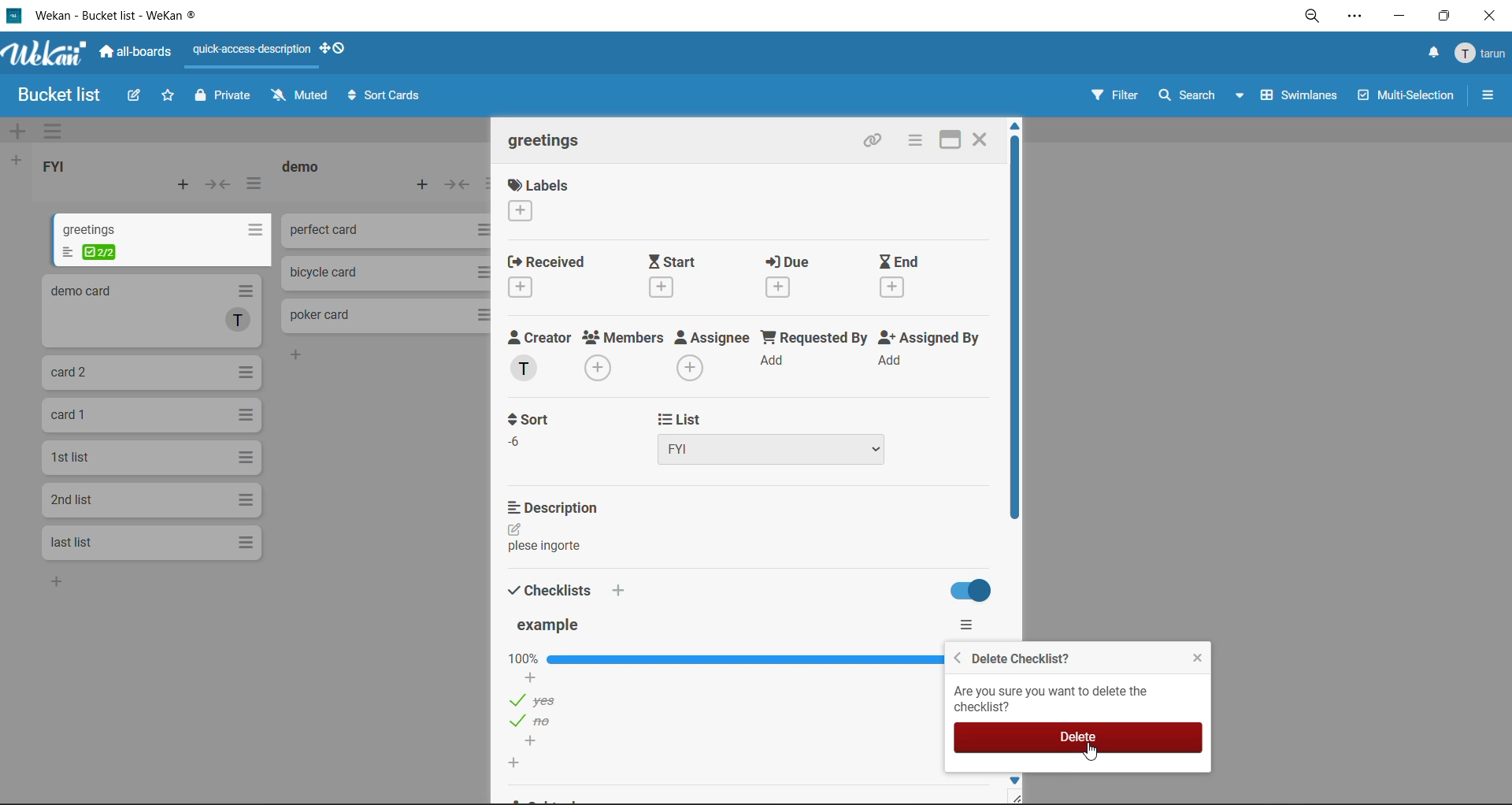 The width and height of the screenshot is (1512, 805). I want to click on all boards, so click(142, 55).